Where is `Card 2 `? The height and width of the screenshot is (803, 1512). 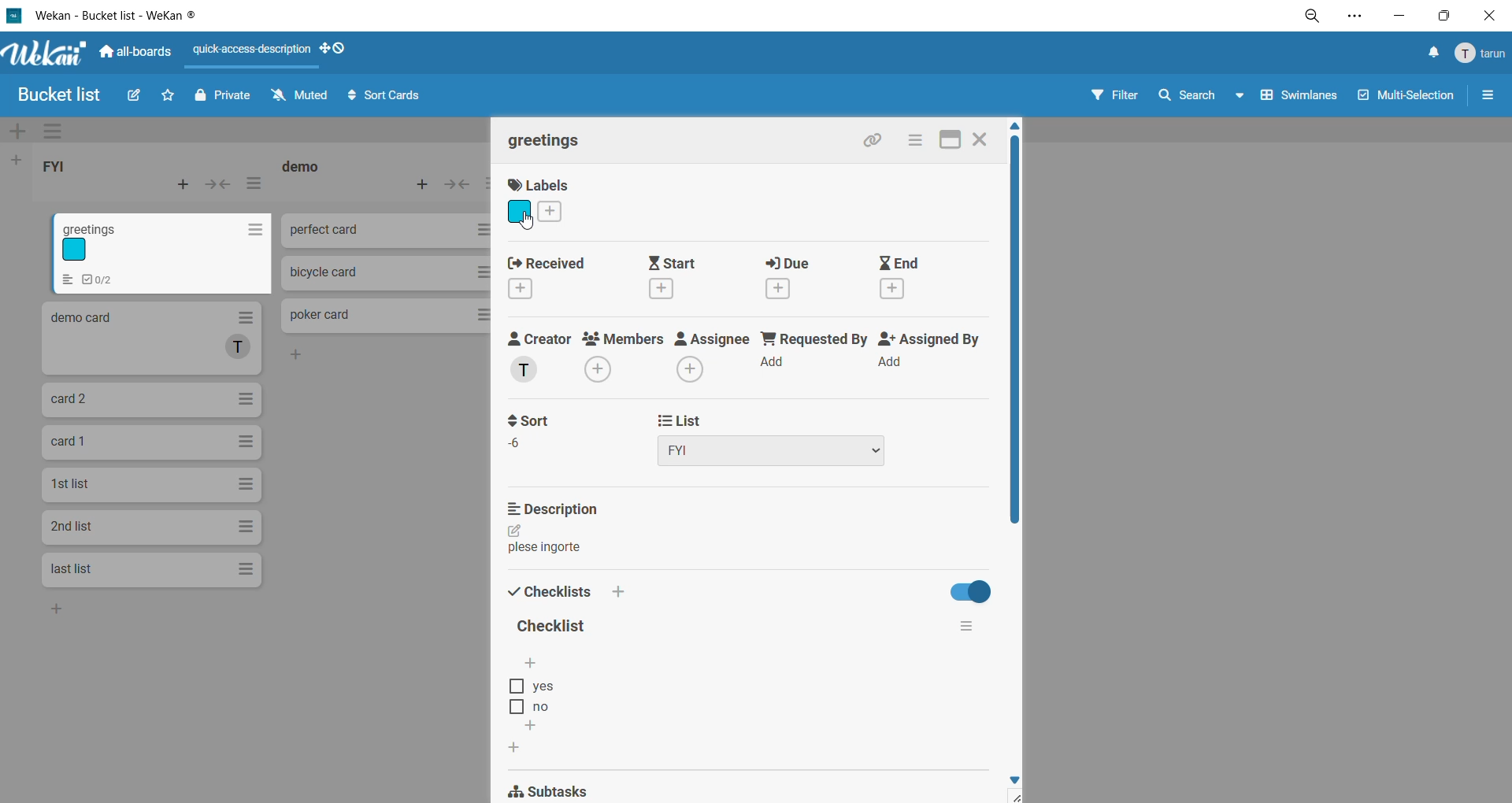 Card 2  is located at coordinates (154, 401).